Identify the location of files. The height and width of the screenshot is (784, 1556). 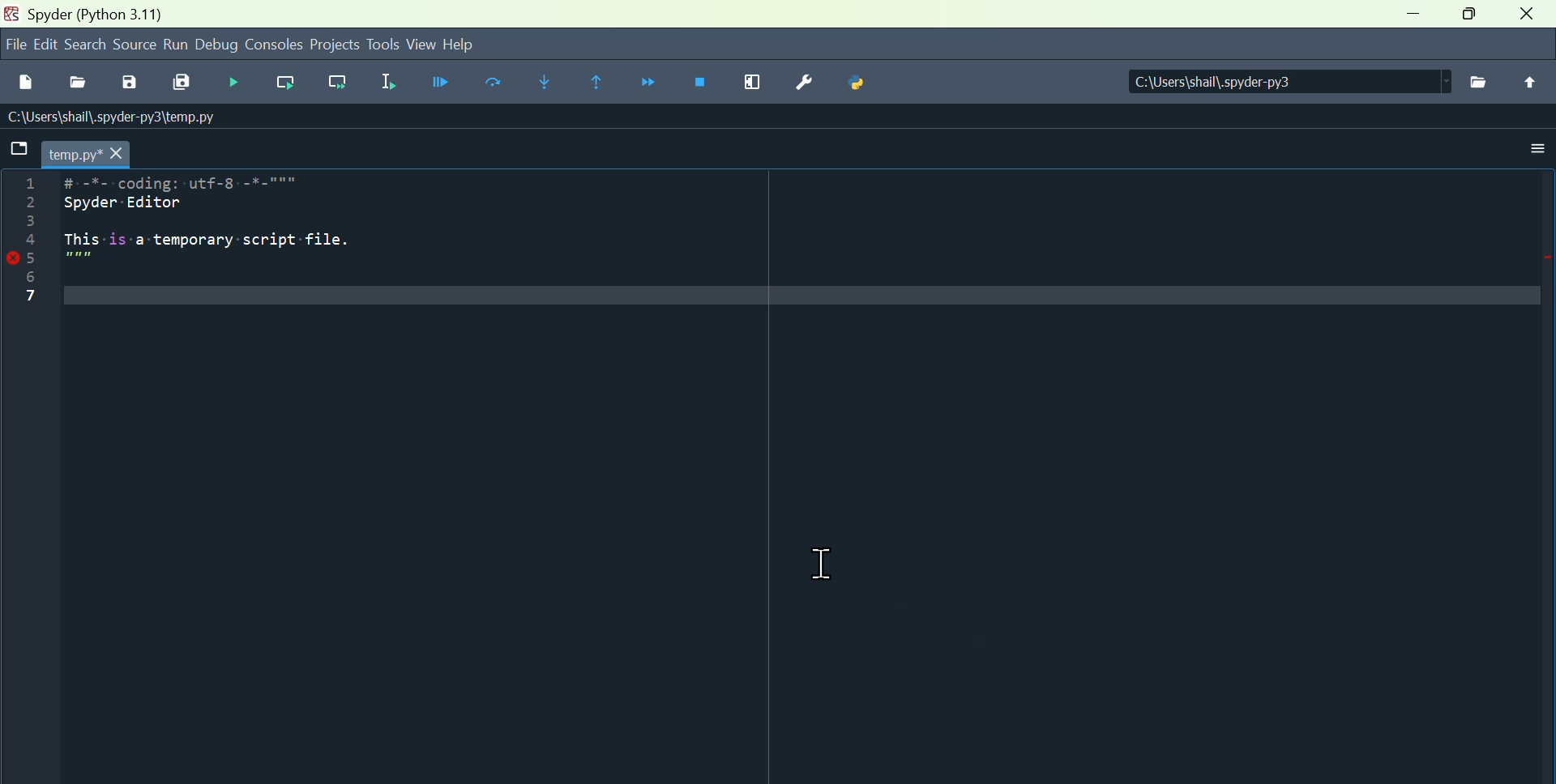
(1474, 83).